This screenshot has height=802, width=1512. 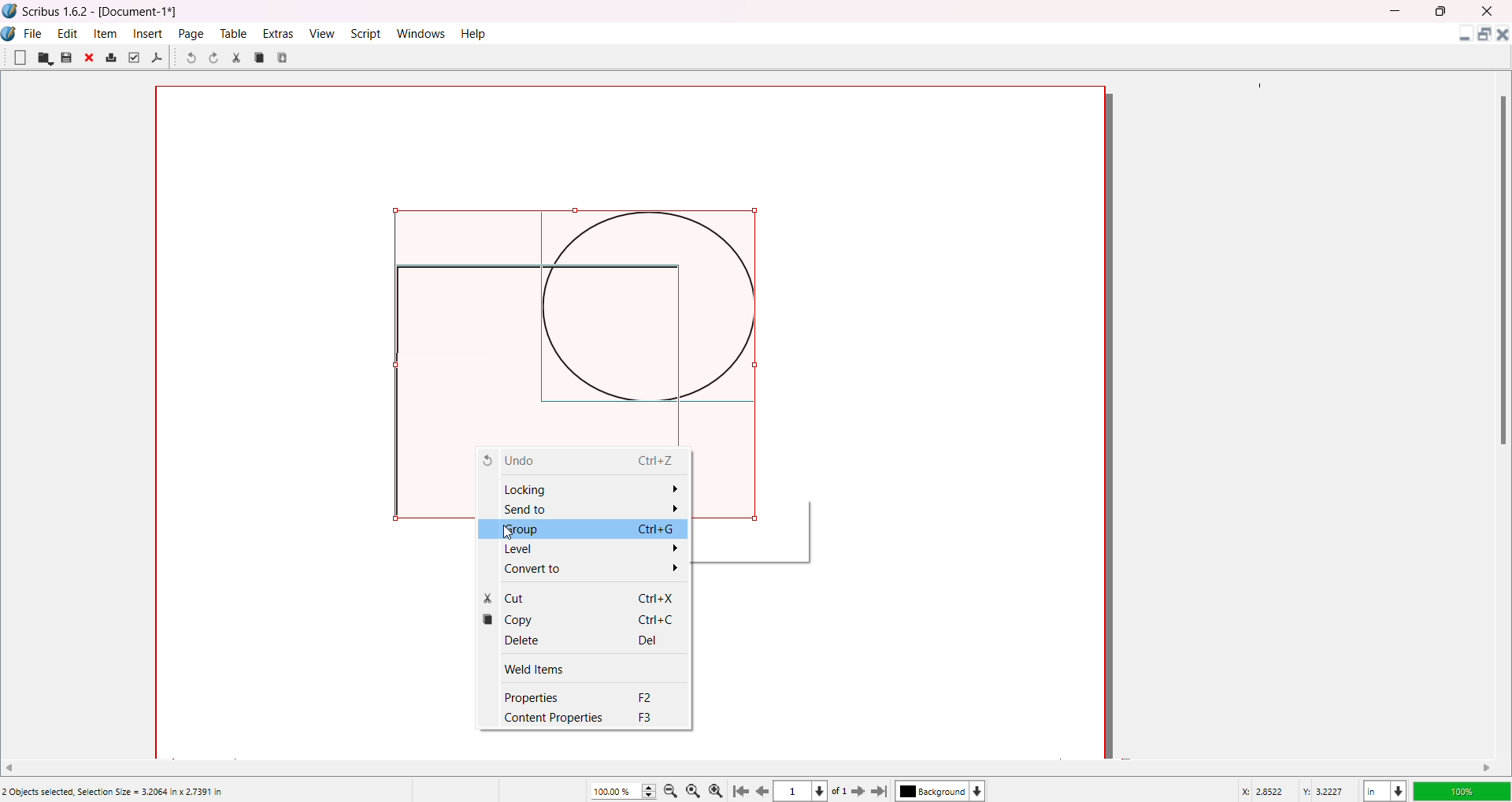 I want to click on Logo, so click(x=10, y=11).